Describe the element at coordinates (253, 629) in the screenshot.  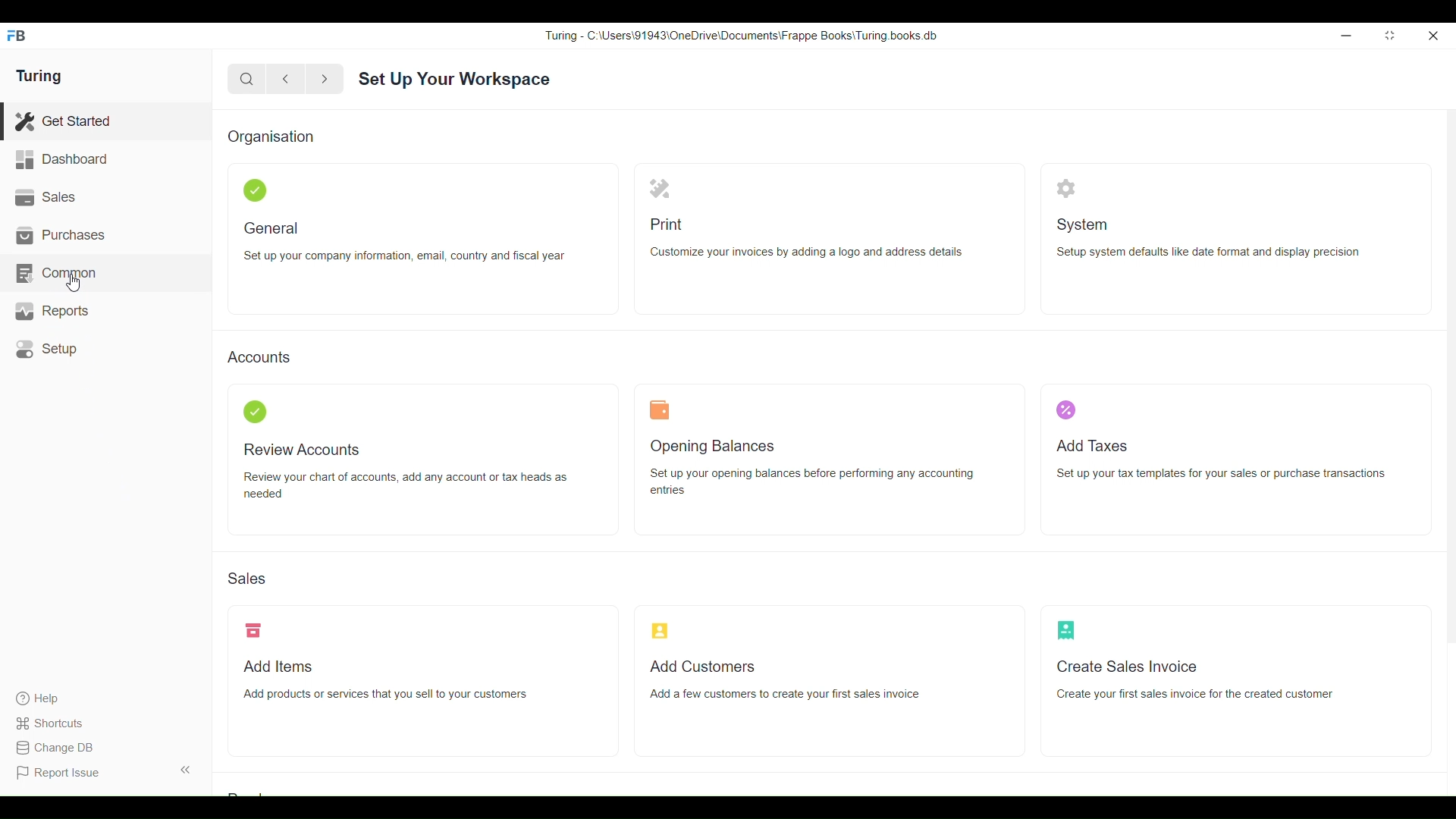
I see `Add Items icon` at that location.